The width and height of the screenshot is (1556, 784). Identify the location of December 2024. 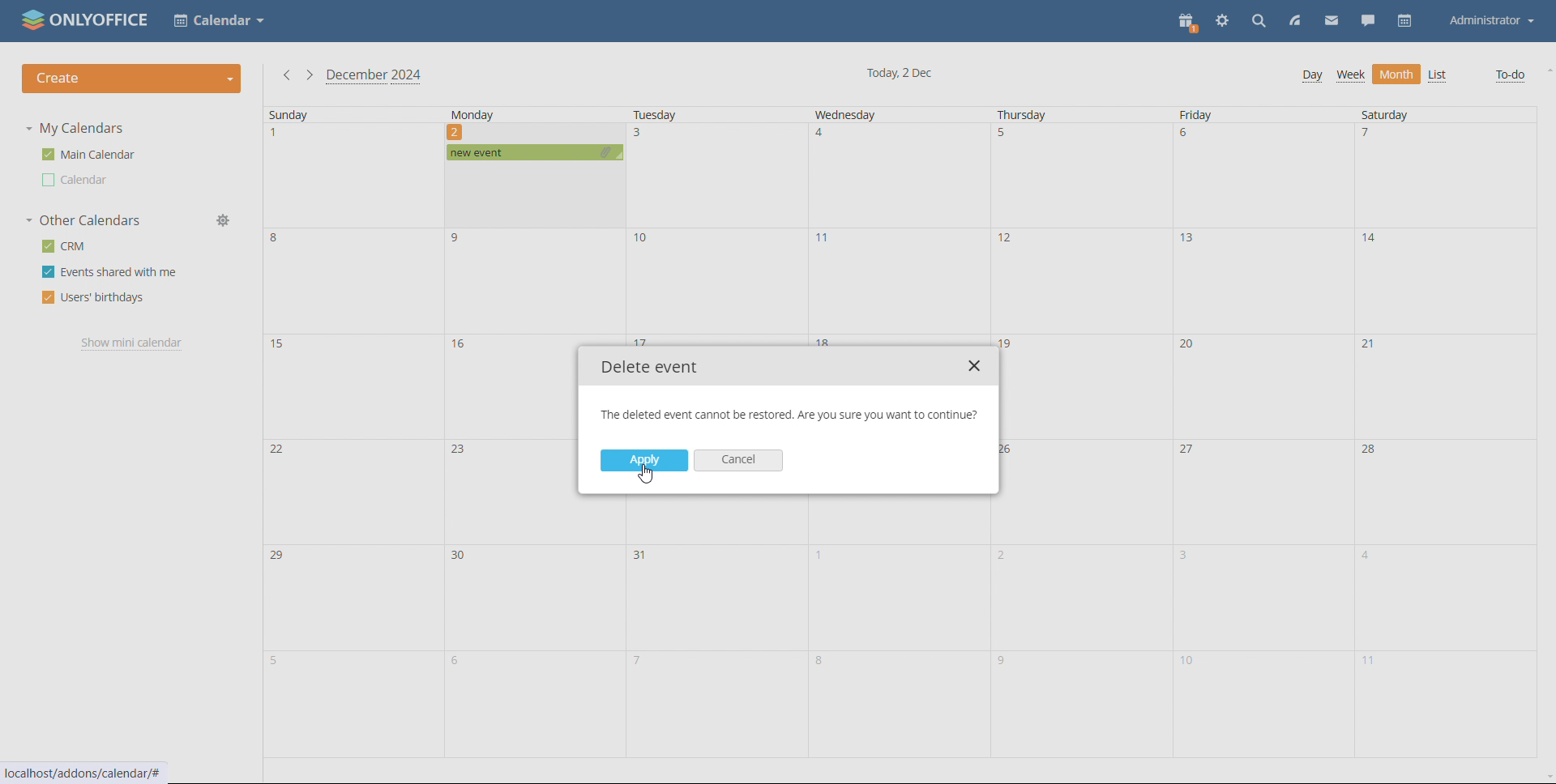
(376, 75).